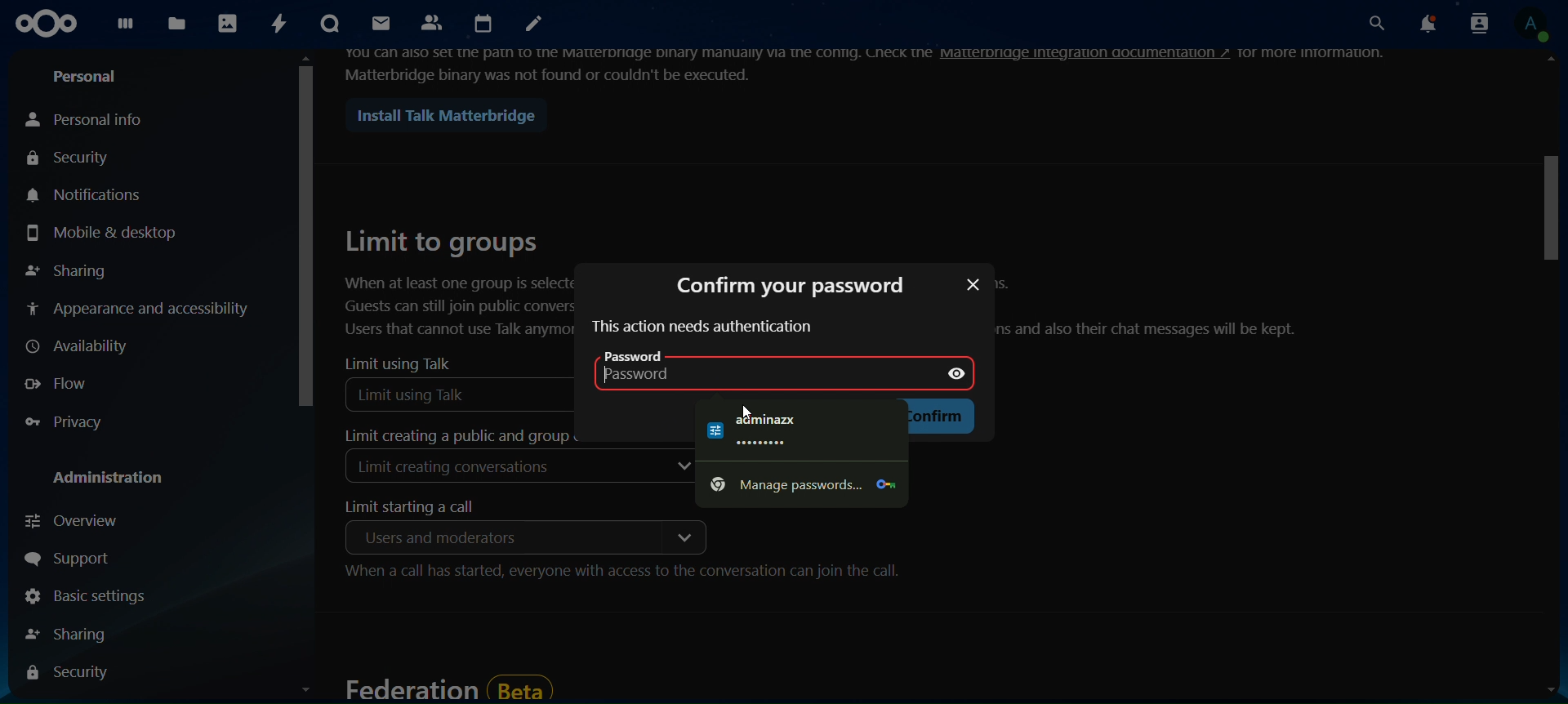  What do you see at coordinates (638, 64) in the screenshot?
I see `text` at bounding box center [638, 64].